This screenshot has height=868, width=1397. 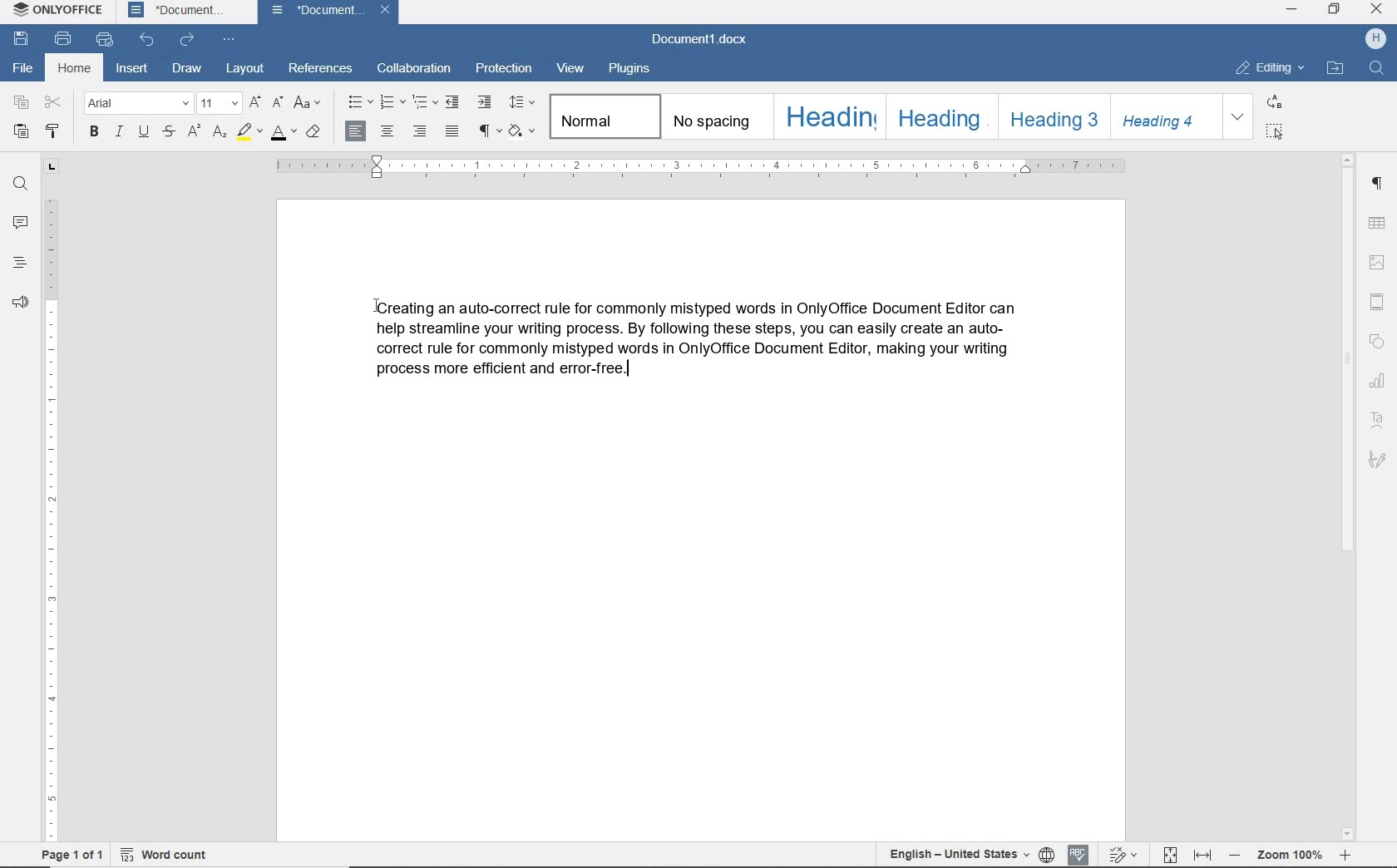 What do you see at coordinates (603, 116) in the screenshot?
I see `normal` at bounding box center [603, 116].